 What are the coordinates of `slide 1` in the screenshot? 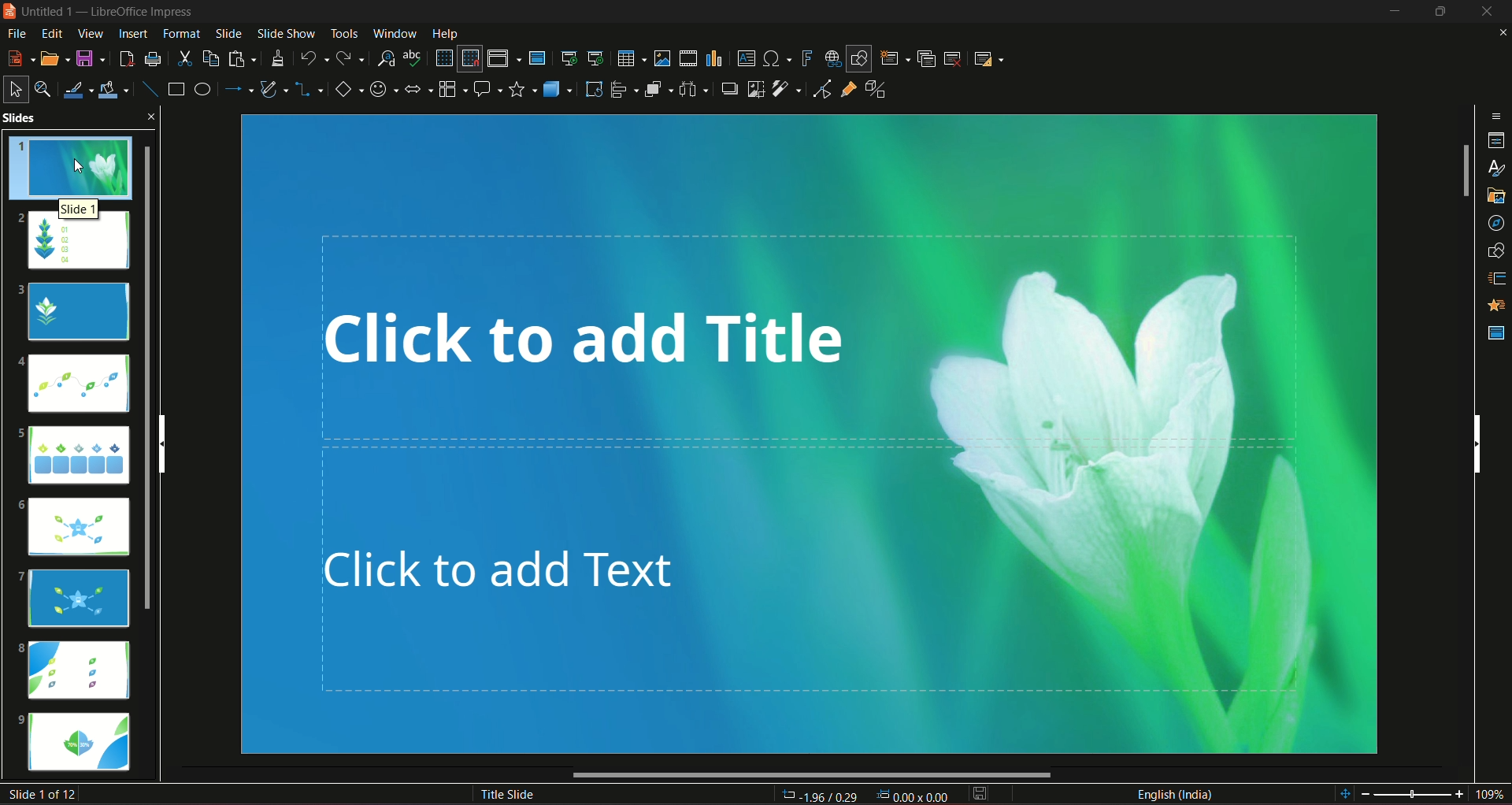 It's located at (76, 166).